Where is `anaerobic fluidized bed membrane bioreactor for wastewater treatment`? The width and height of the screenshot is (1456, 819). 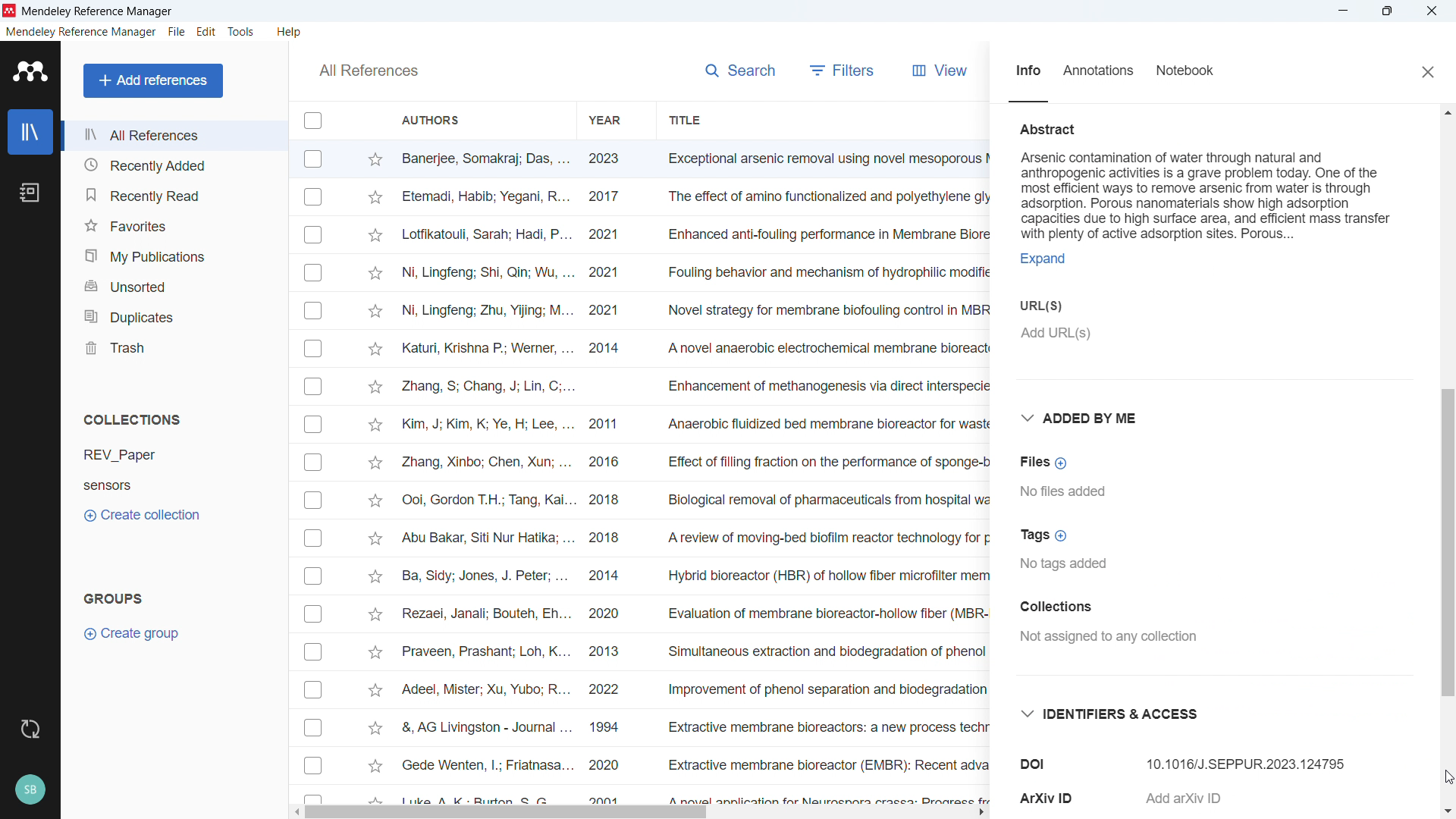 anaerobic fluidized bed membrane bioreactor for wastewater treatment is located at coordinates (825, 424).